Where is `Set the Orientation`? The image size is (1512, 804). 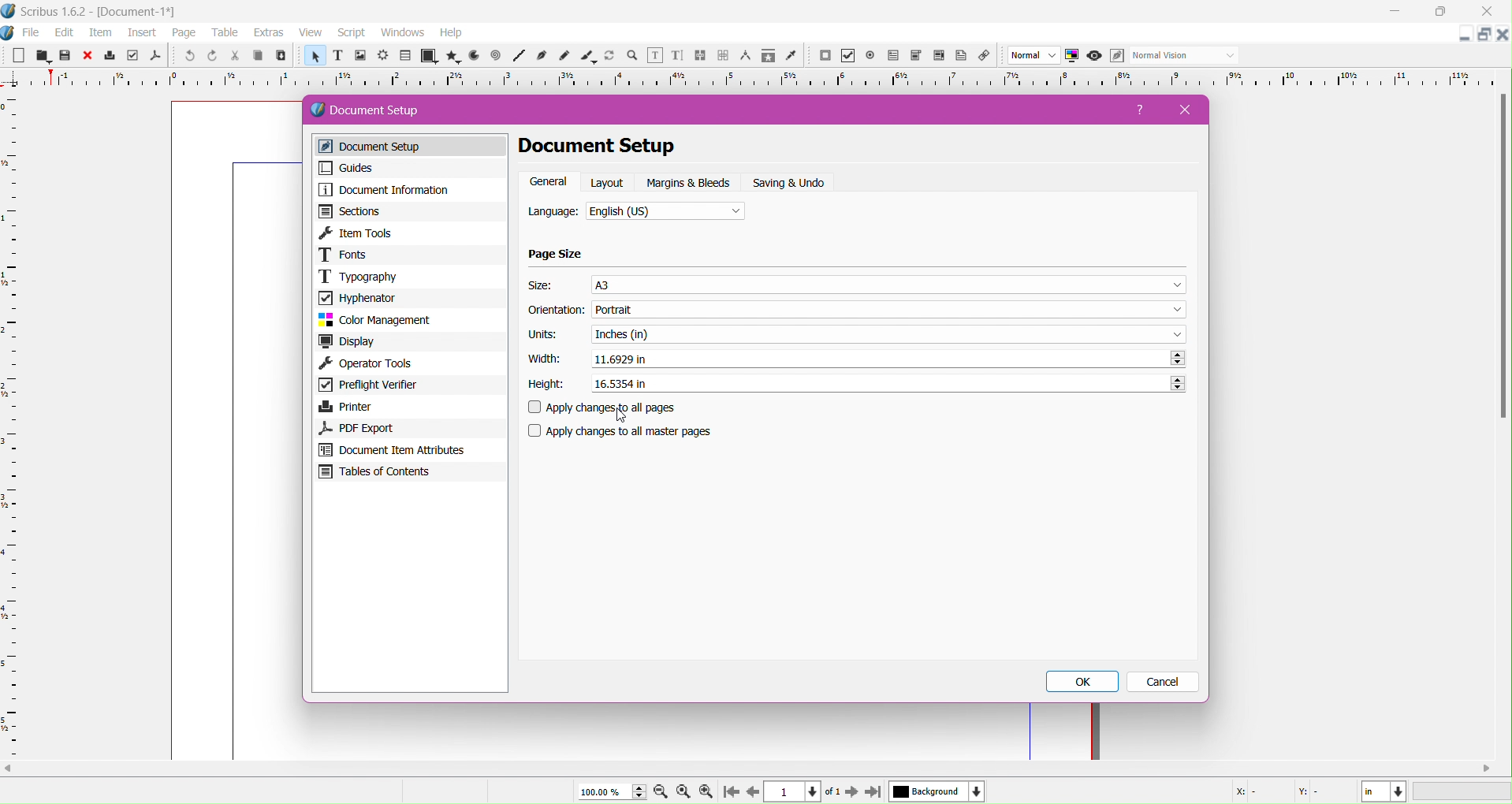
Set the Orientation is located at coordinates (892, 310).